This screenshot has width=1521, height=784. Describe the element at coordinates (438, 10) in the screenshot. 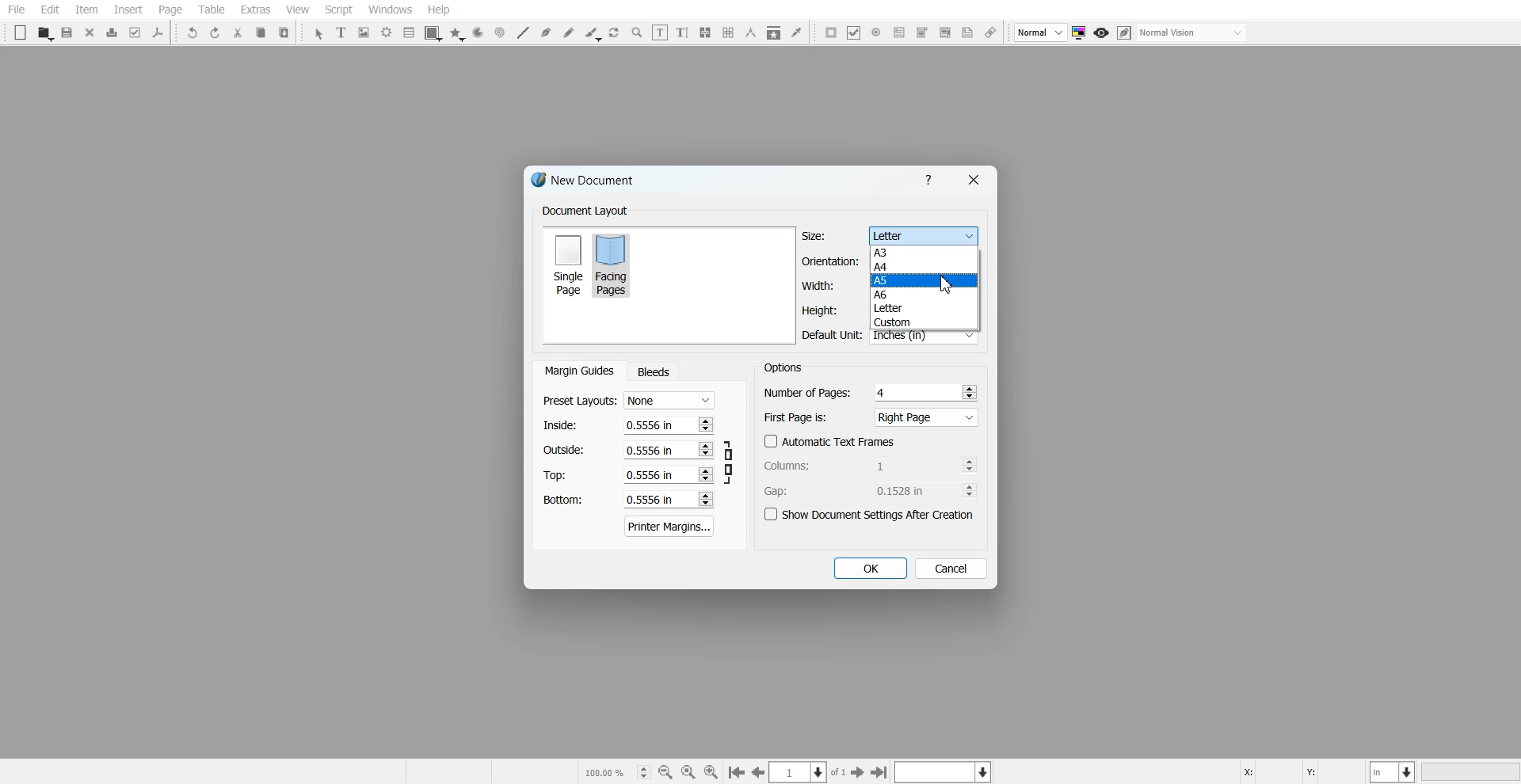

I see `Help` at that location.